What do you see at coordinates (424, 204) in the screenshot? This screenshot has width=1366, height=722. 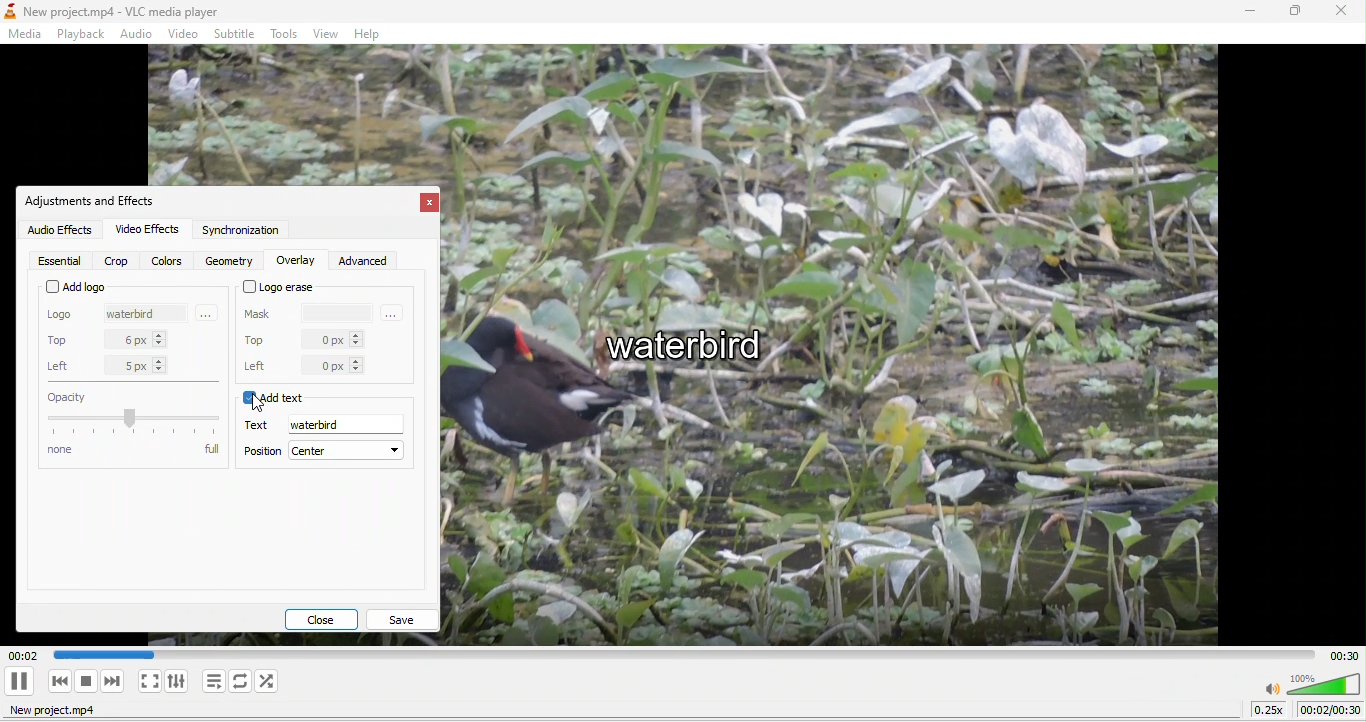 I see `close` at bounding box center [424, 204].